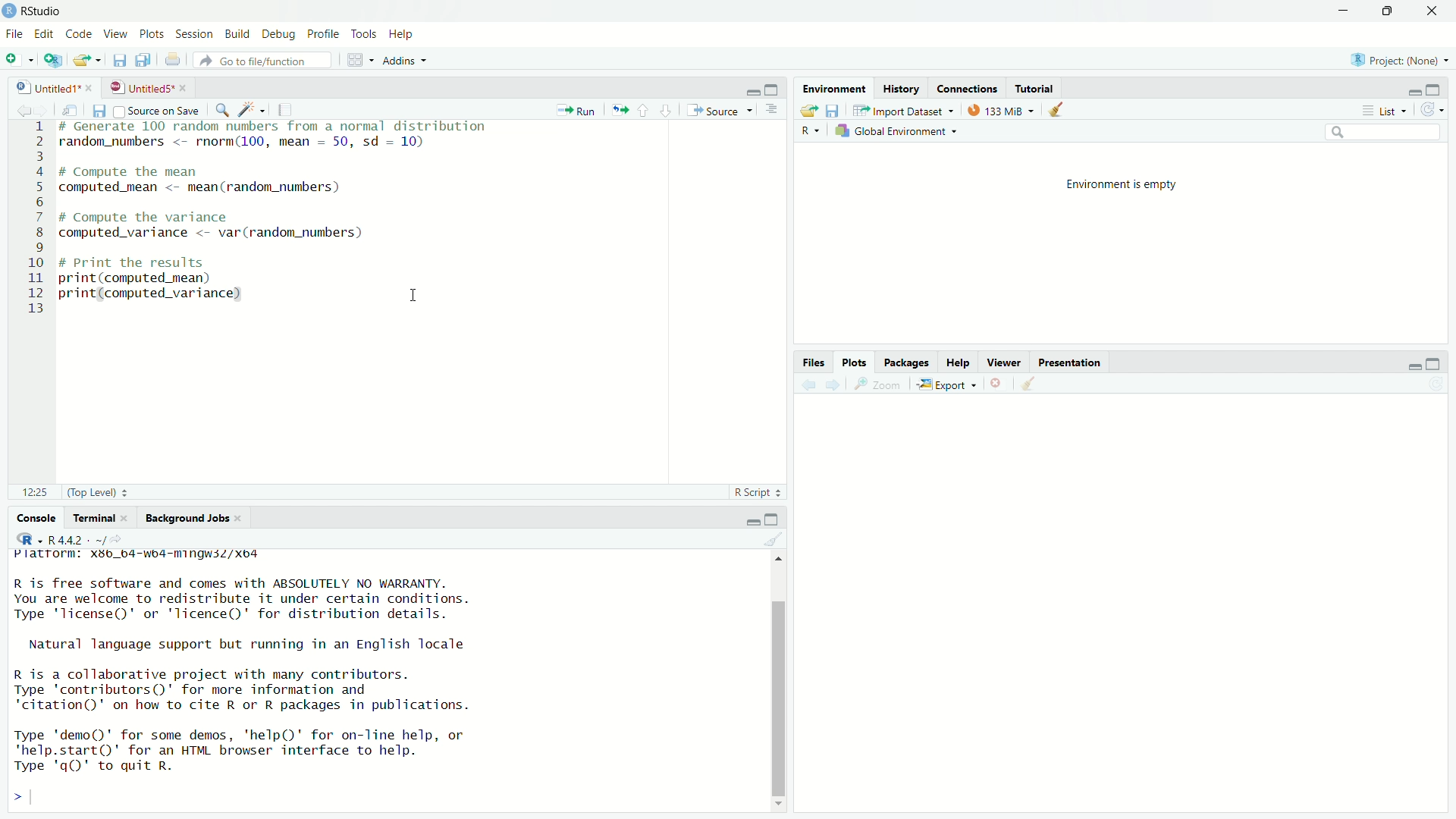  Describe the element at coordinates (237, 597) in the screenshot. I see `R is free software and comes with ABSOLUTELY NO WARRANTY.
You are welcome to redistribute it under certain conditions.
Type "license" or 'licence()' for distribution details.` at that location.